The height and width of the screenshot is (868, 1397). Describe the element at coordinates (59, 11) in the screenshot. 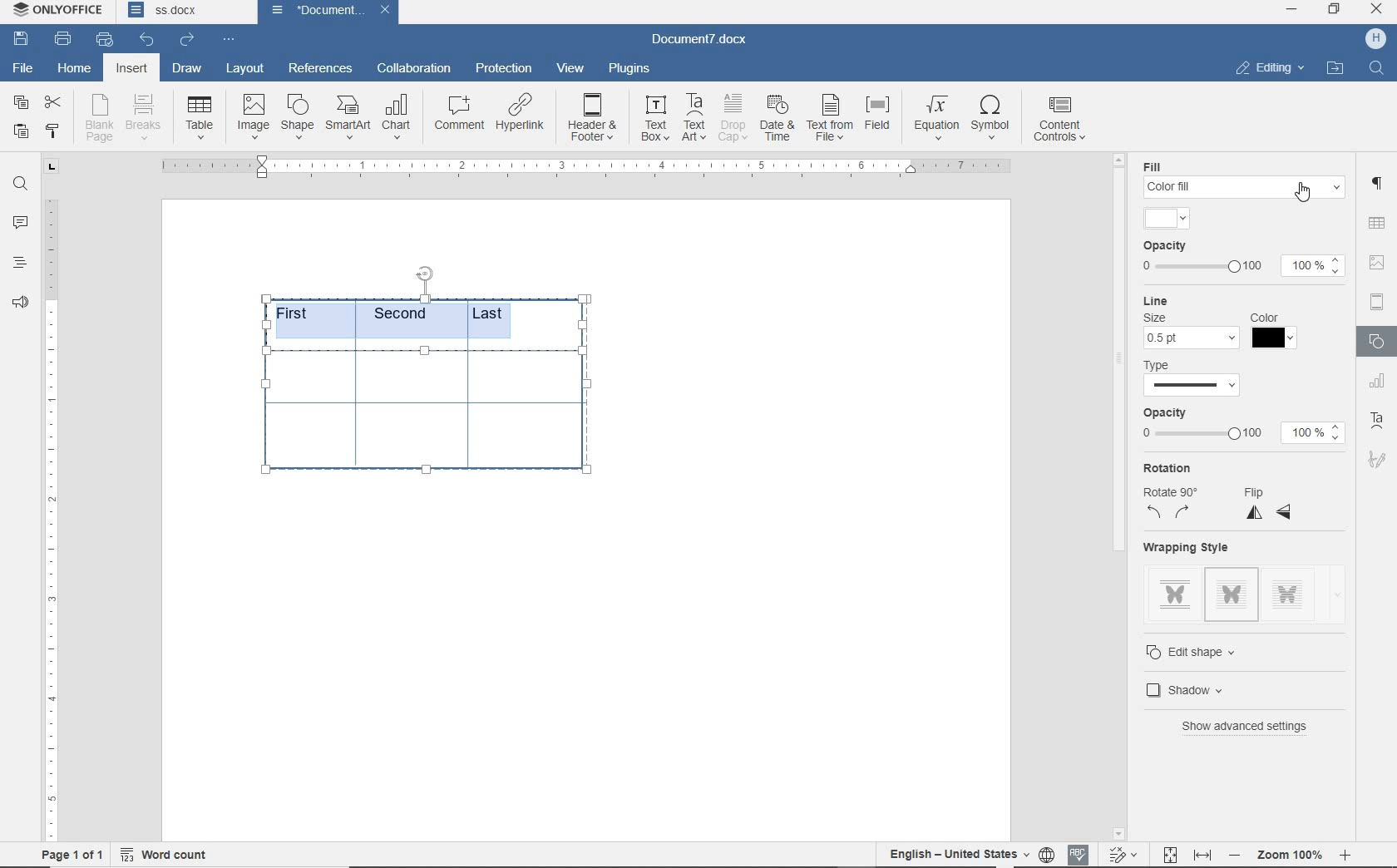

I see `system name` at that location.